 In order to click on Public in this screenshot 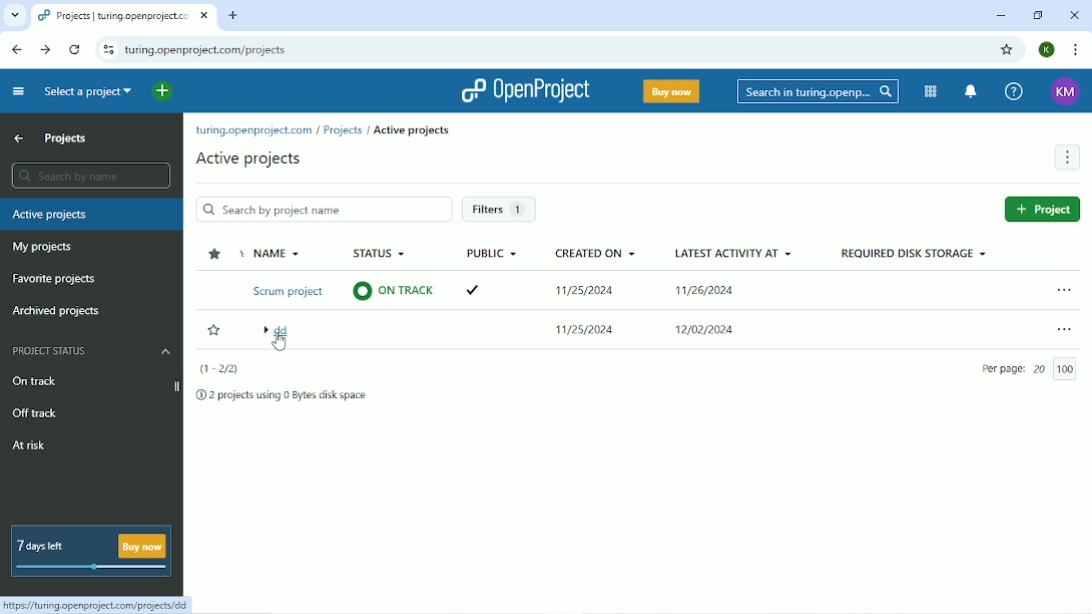, I will do `click(489, 273)`.